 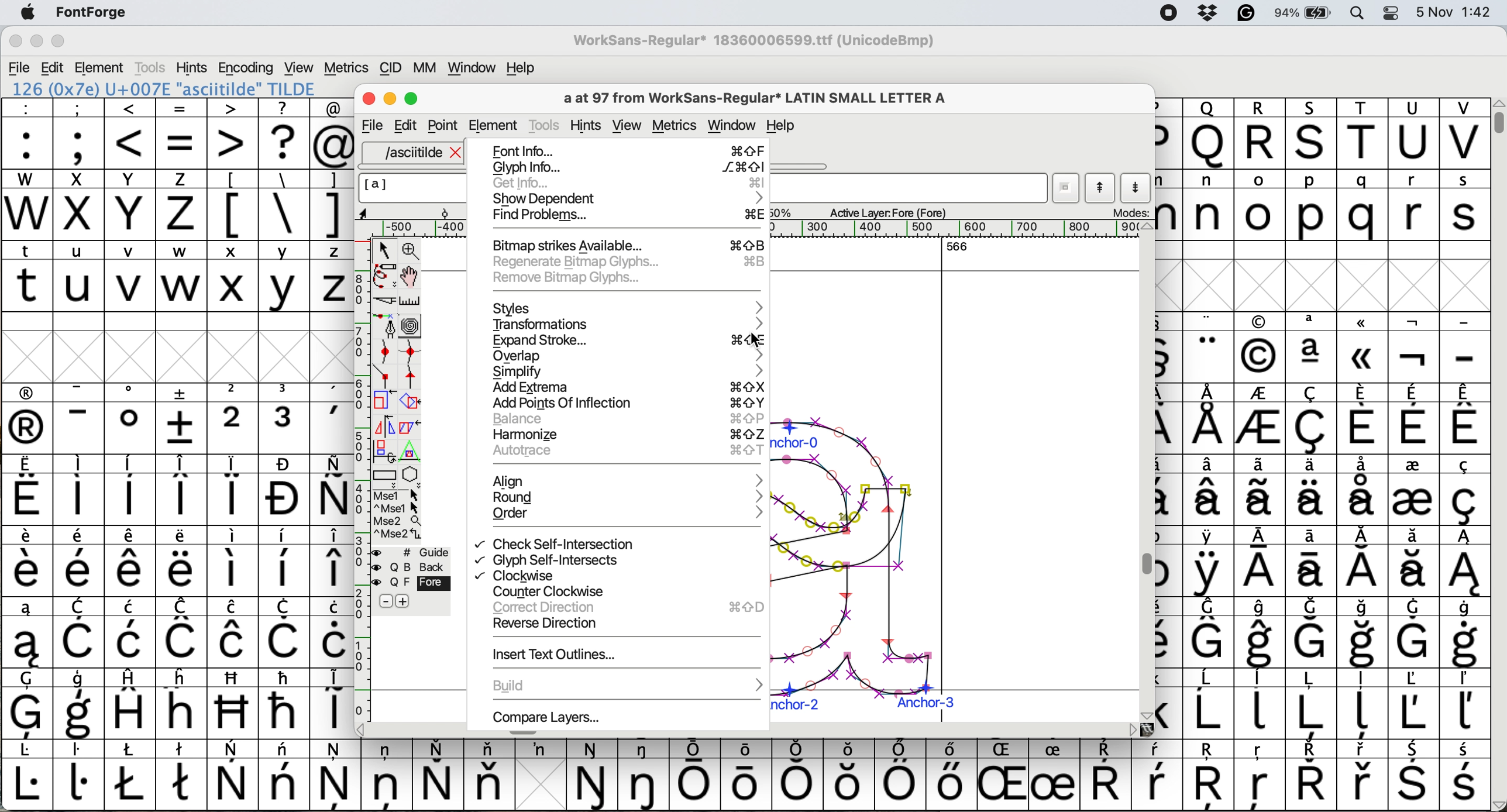 I want to click on x, so click(x=78, y=205).